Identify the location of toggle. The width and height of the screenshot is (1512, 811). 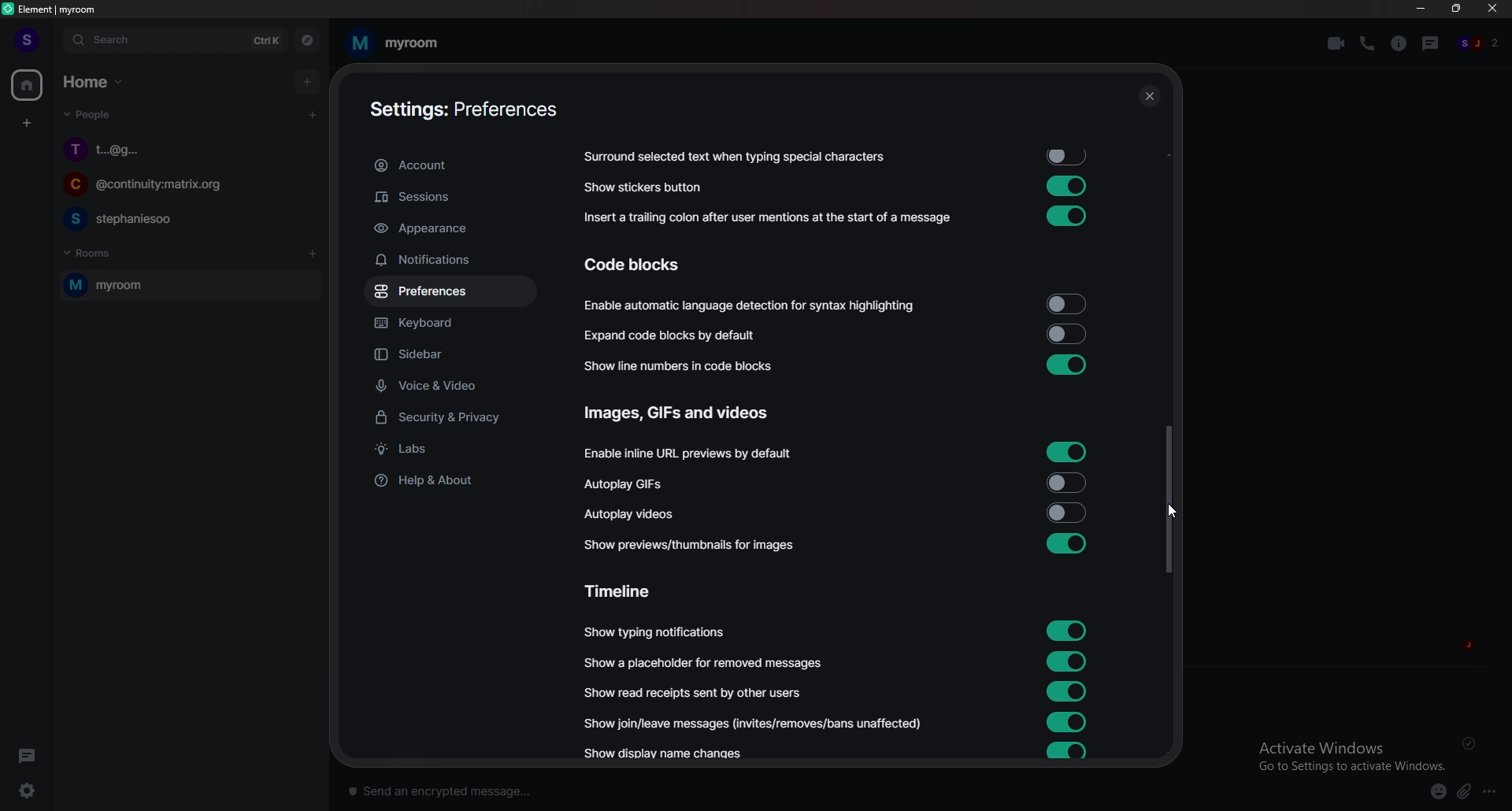
(1068, 751).